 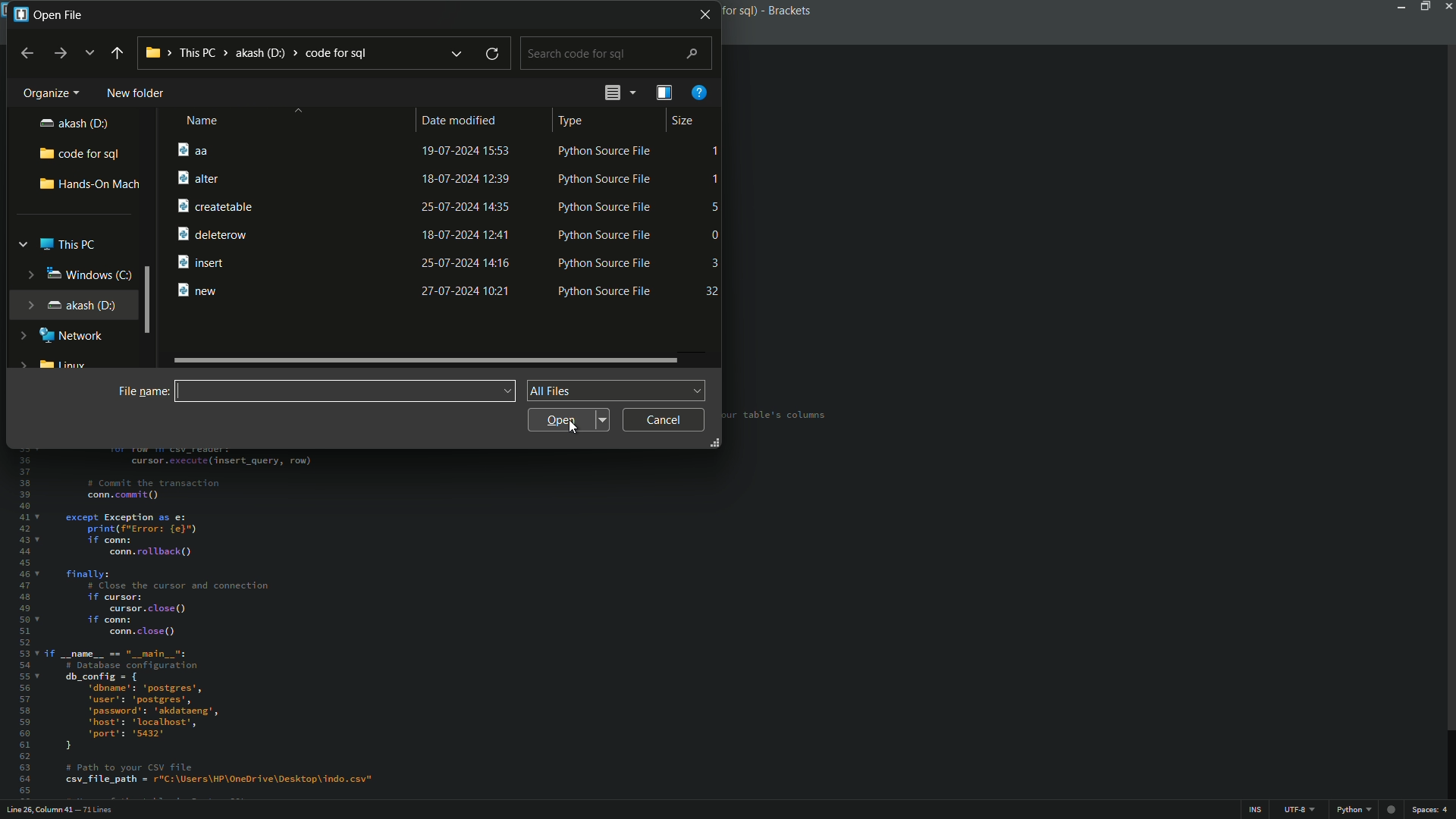 I want to click on open file window, so click(x=59, y=15).